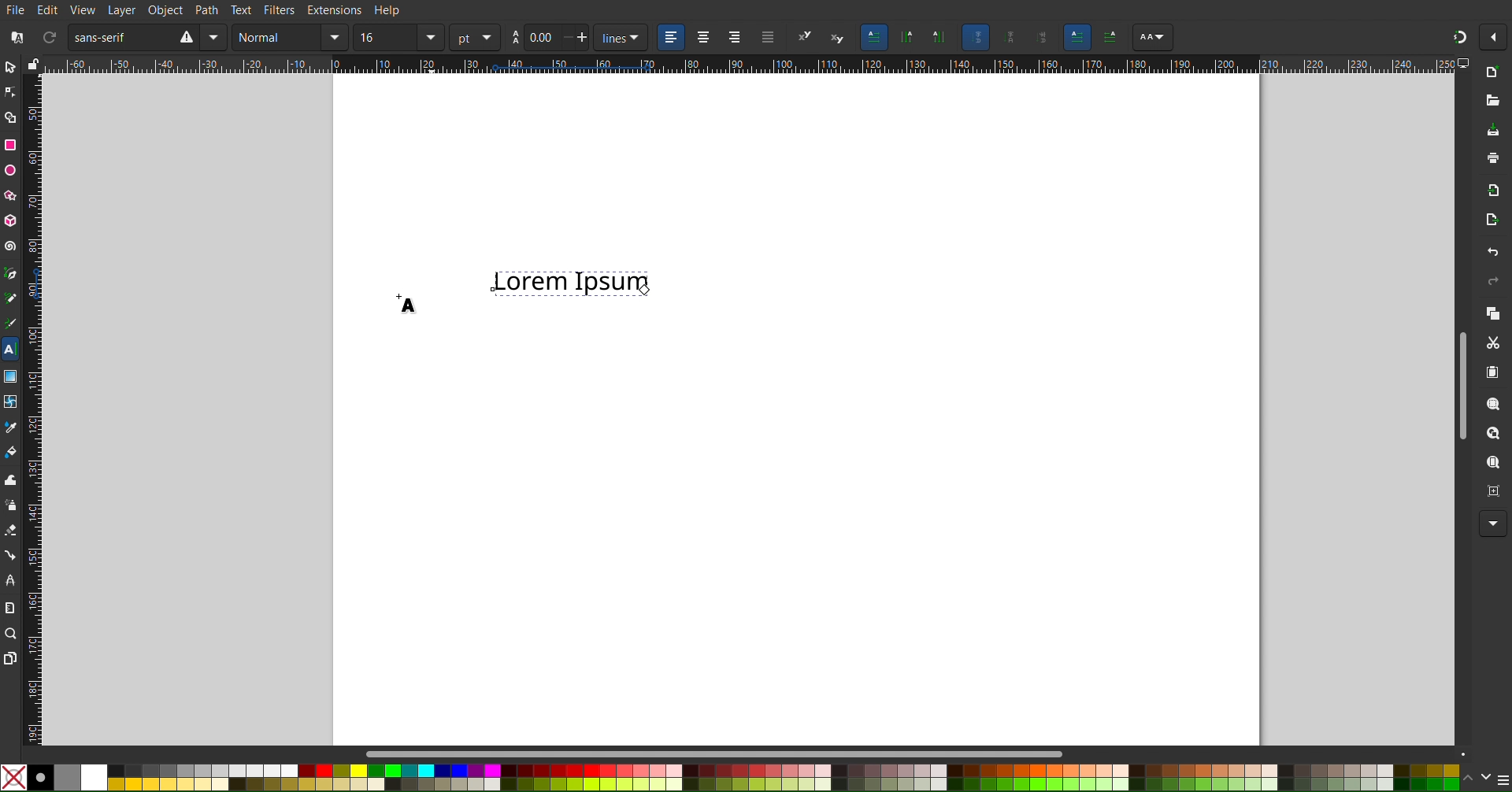  Describe the element at coordinates (837, 35) in the screenshot. I see `subscript` at that location.